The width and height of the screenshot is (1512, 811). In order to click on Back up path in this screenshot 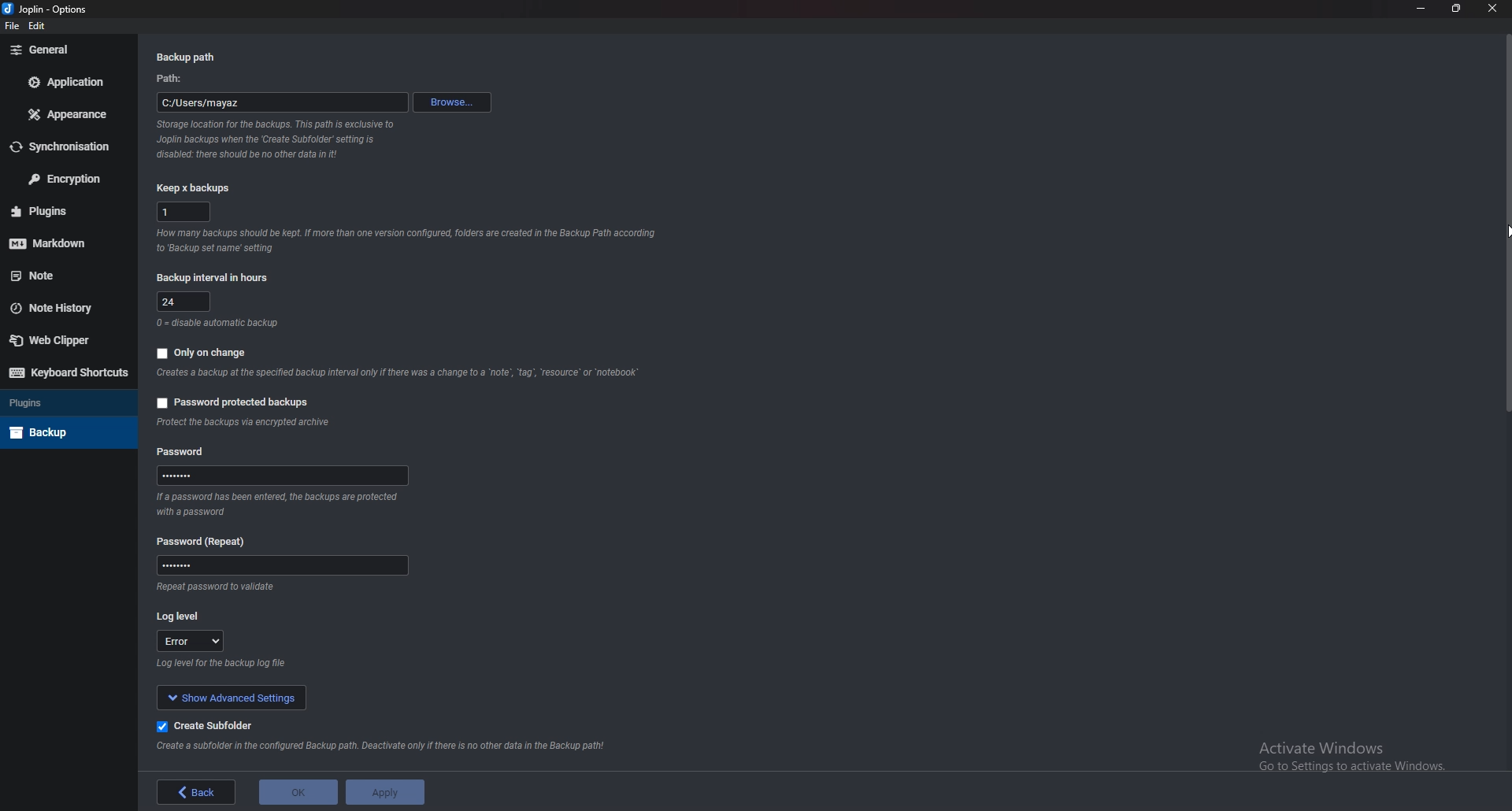, I will do `click(188, 57)`.